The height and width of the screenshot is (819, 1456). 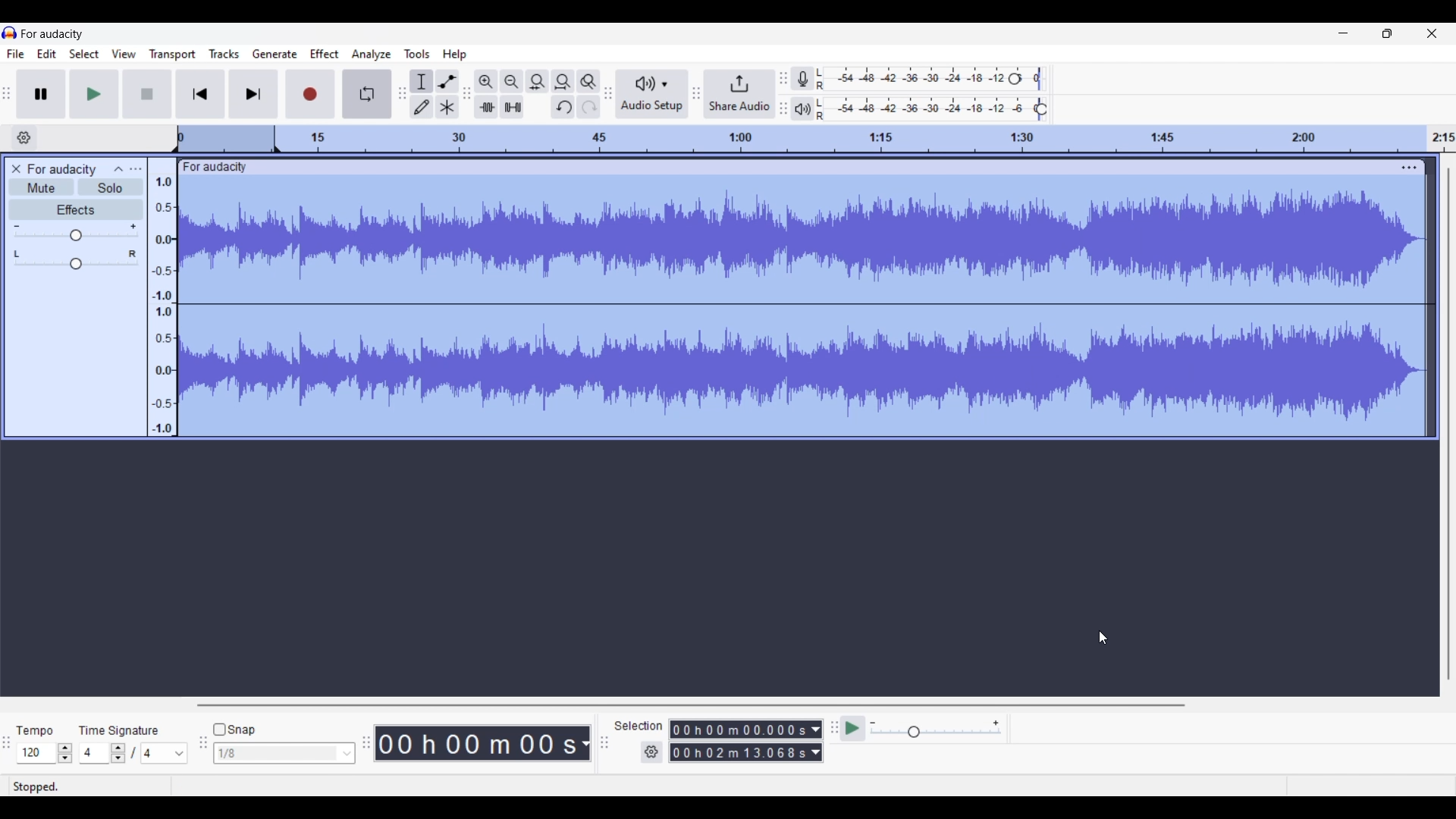 I want to click on Effects, so click(x=76, y=209).